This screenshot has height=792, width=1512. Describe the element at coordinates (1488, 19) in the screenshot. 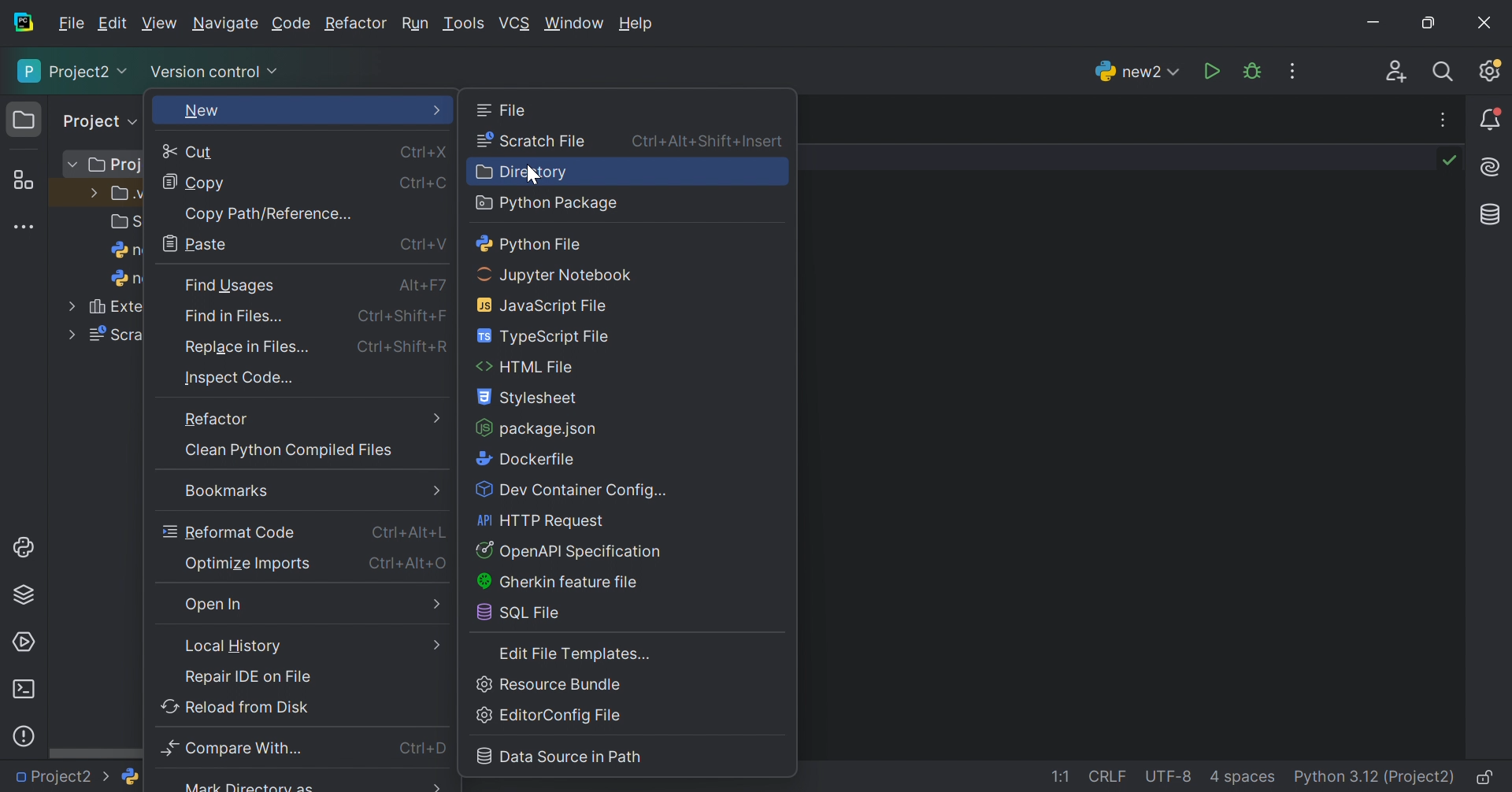

I see `Close` at that location.